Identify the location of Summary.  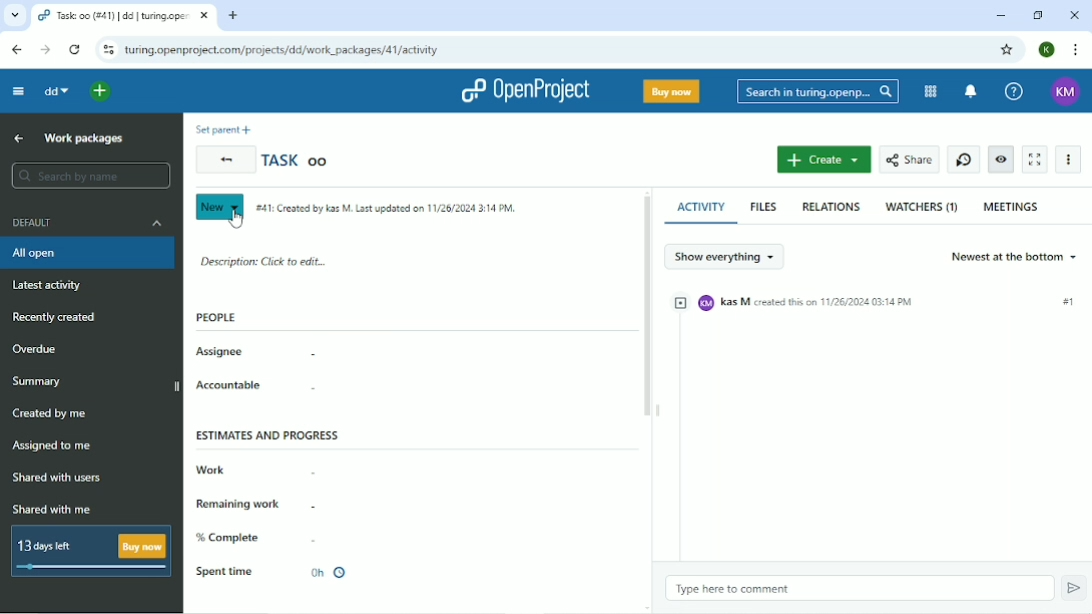
(93, 384).